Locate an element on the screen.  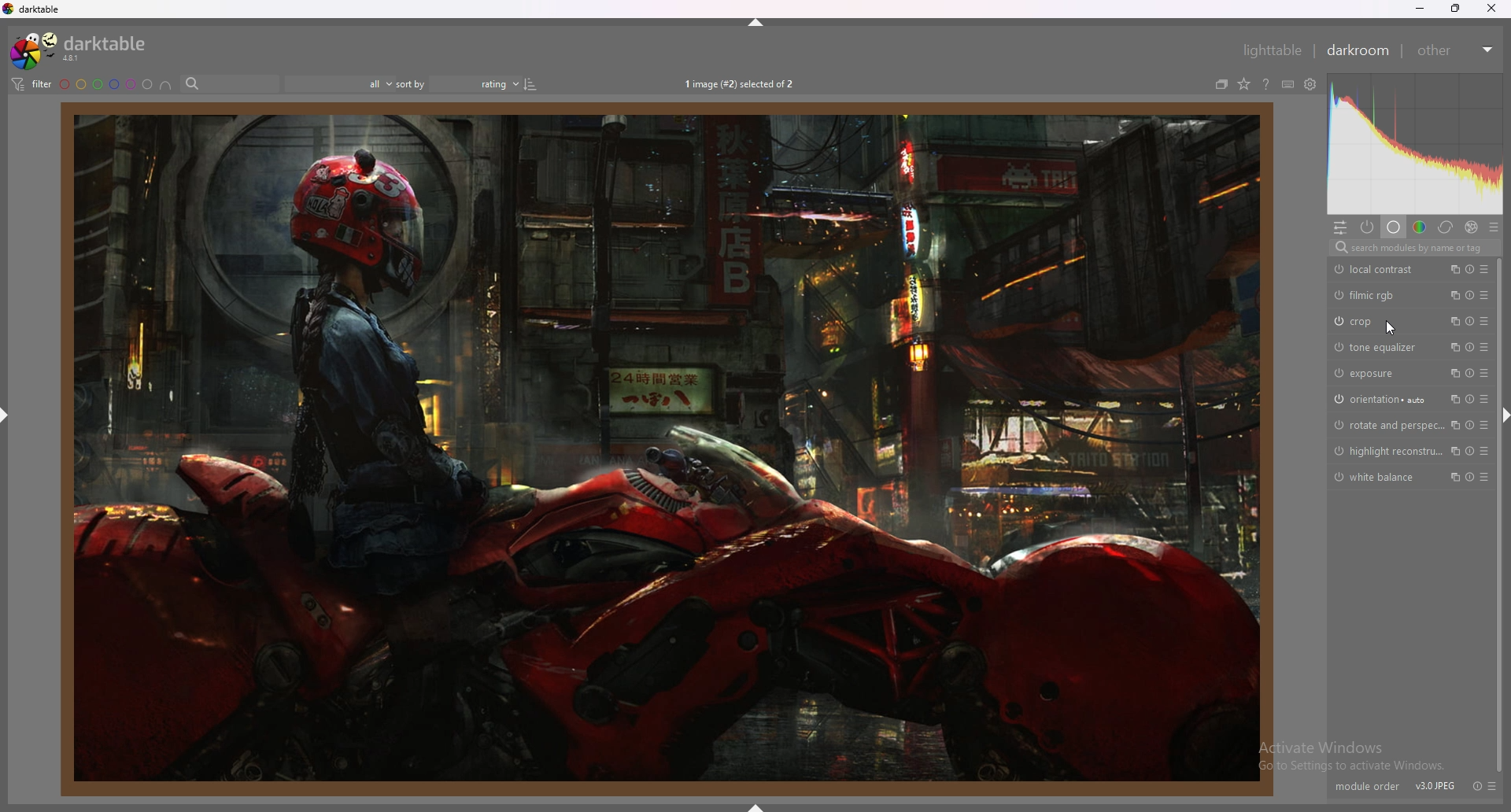
darktable is located at coordinates (82, 50).